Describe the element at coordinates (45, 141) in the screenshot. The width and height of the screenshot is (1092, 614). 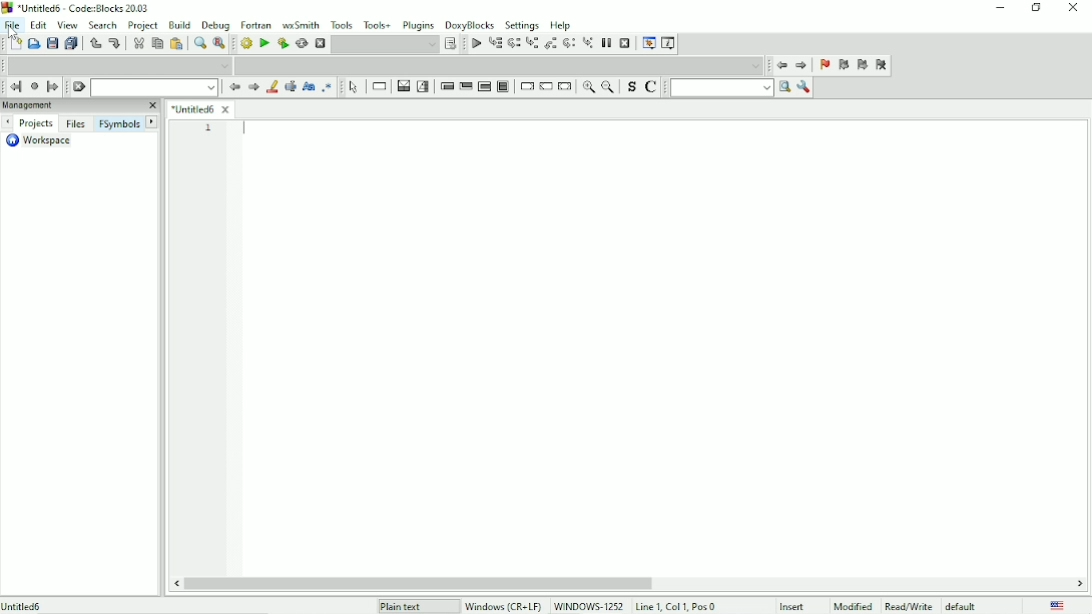
I see `Workspace` at that location.